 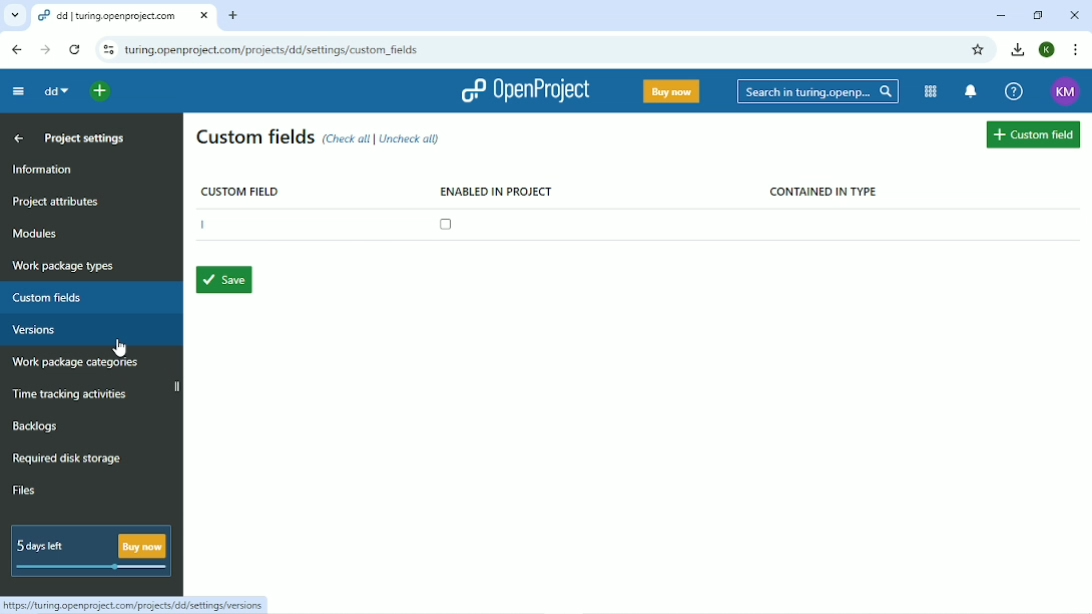 What do you see at coordinates (33, 426) in the screenshot?
I see `Backlogs` at bounding box center [33, 426].